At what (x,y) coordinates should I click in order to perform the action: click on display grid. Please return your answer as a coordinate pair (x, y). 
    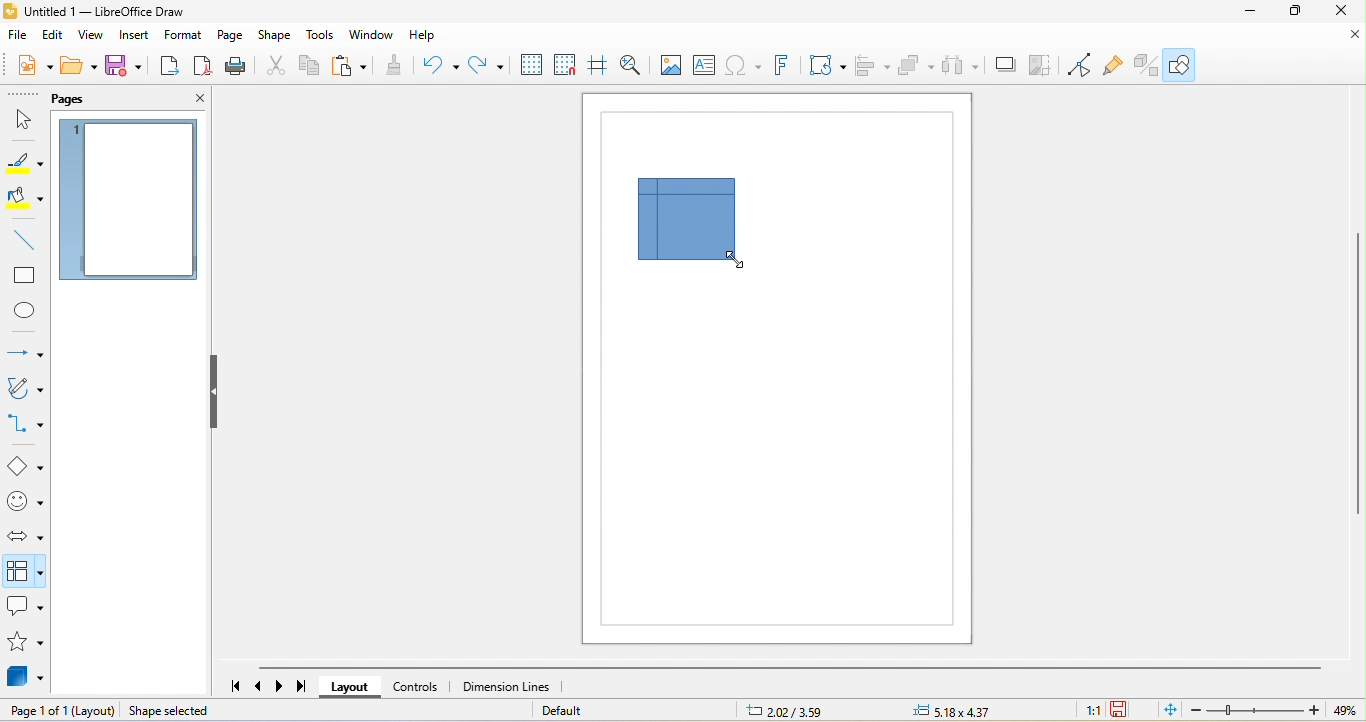
    Looking at the image, I should click on (533, 66).